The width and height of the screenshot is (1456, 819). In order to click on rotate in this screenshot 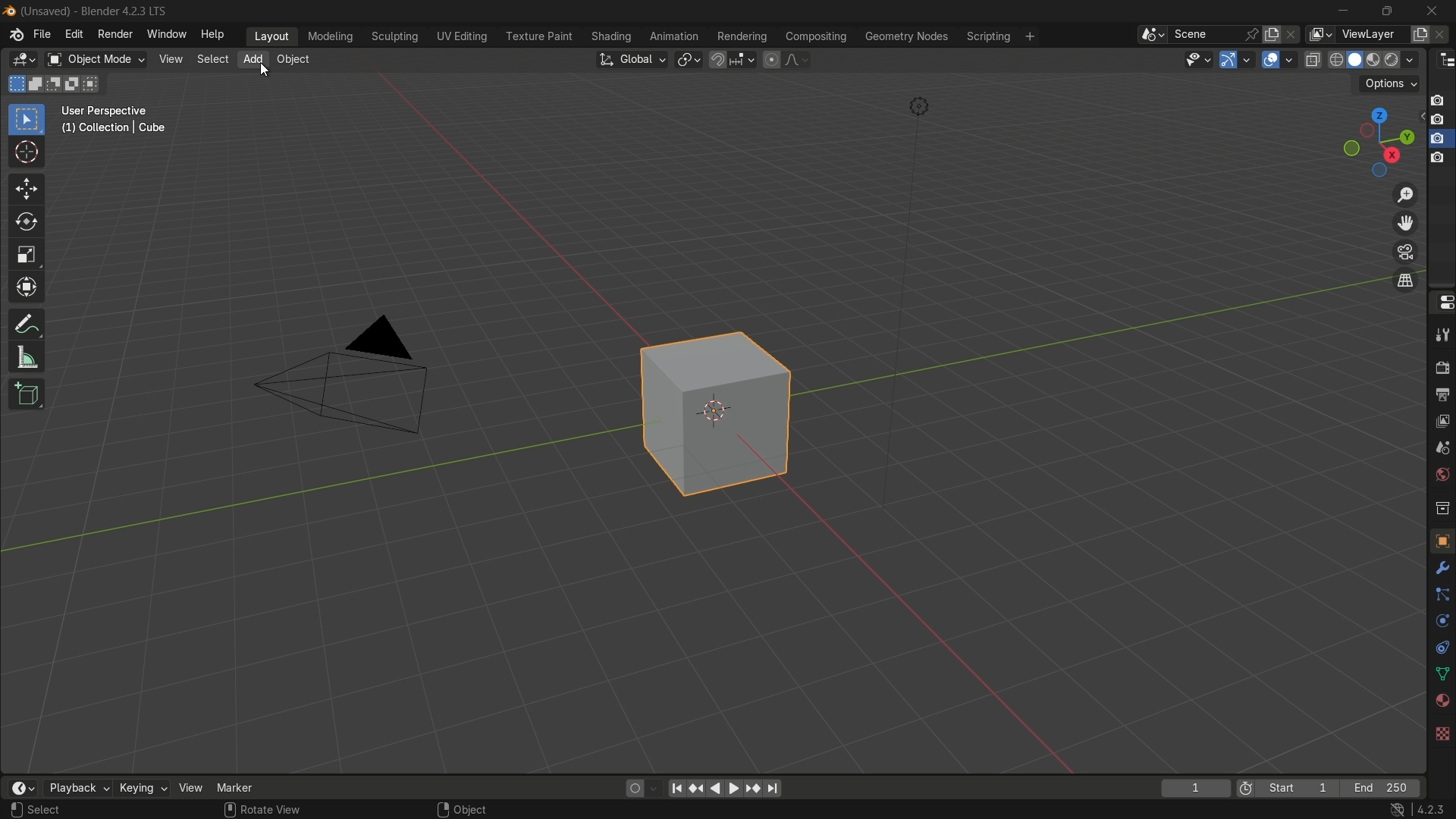, I will do `click(27, 223)`.